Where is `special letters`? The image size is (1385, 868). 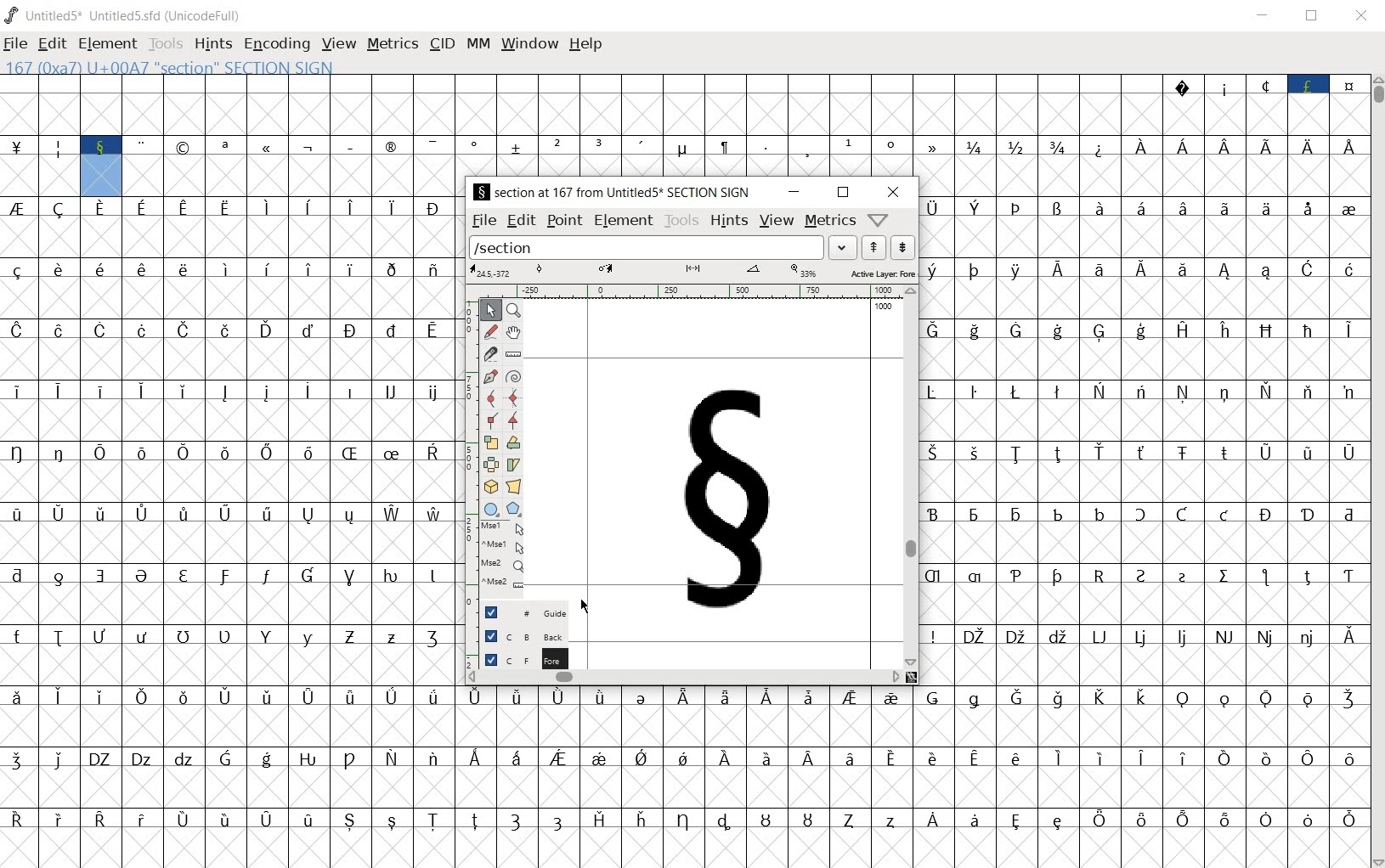 special letters is located at coordinates (687, 818).